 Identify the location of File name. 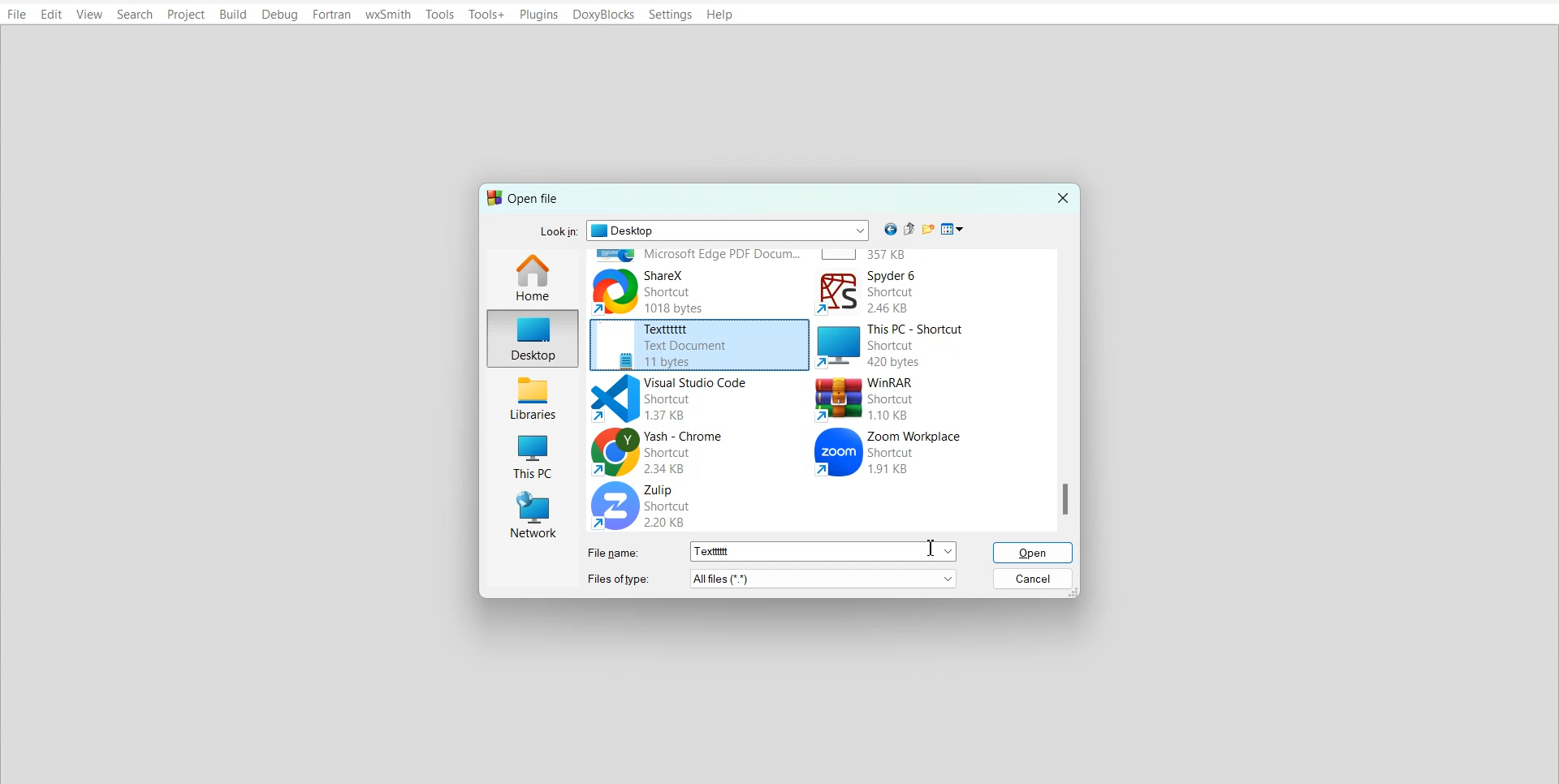
(616, 551).